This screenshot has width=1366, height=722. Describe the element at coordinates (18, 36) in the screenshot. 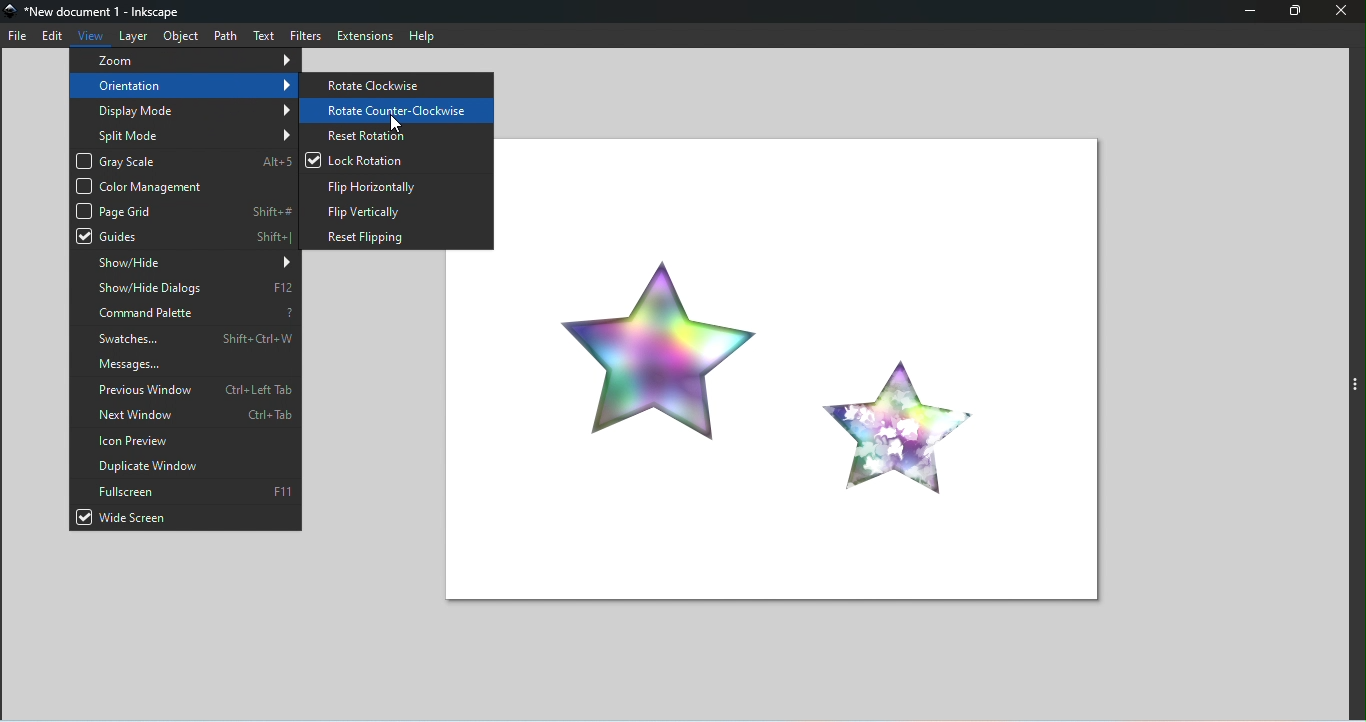

I see `File` at that location.